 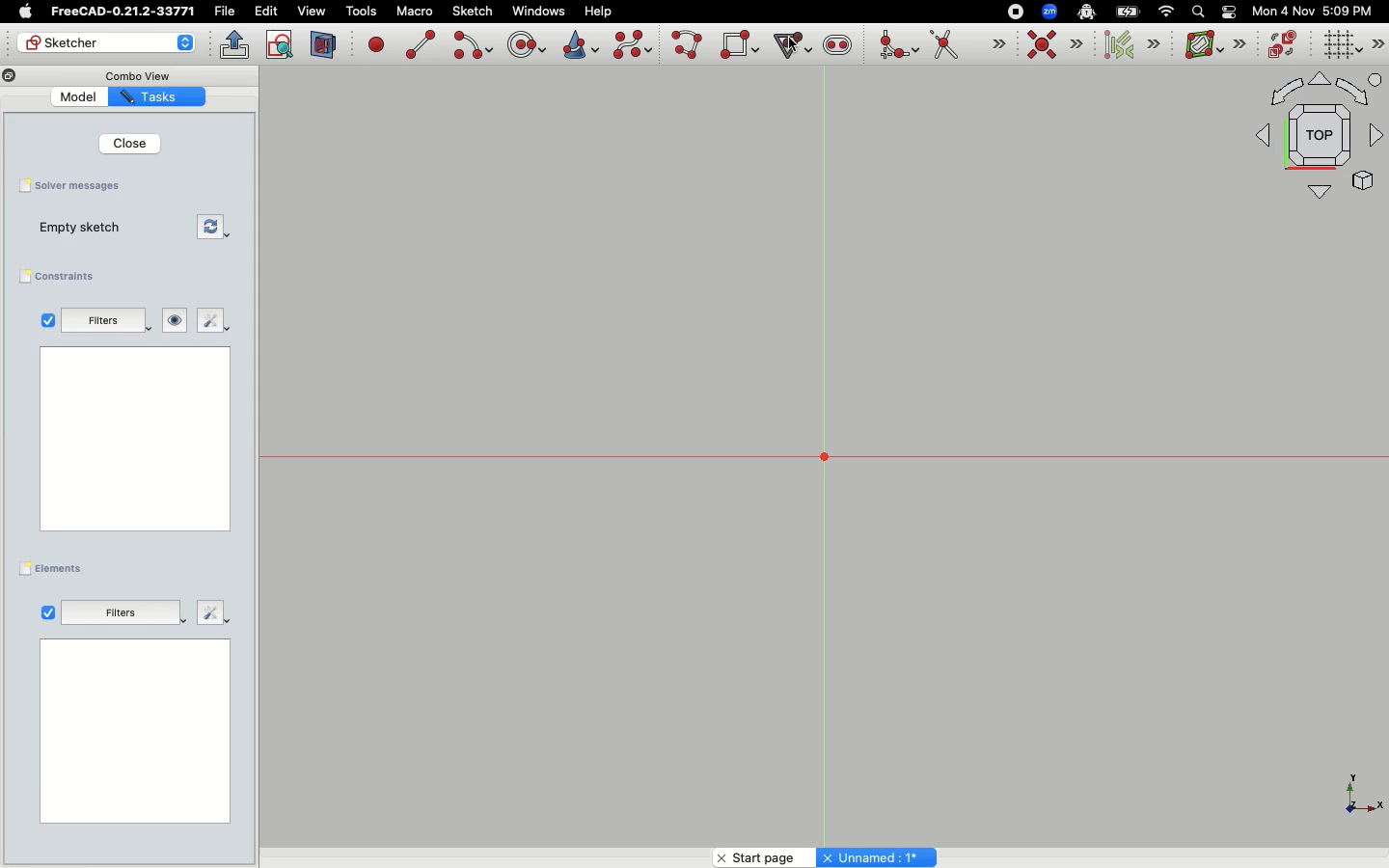 What do you see at coordinates (527, 42) in the screenshot?
I see `Create circle` at bounding box center [527, 42].